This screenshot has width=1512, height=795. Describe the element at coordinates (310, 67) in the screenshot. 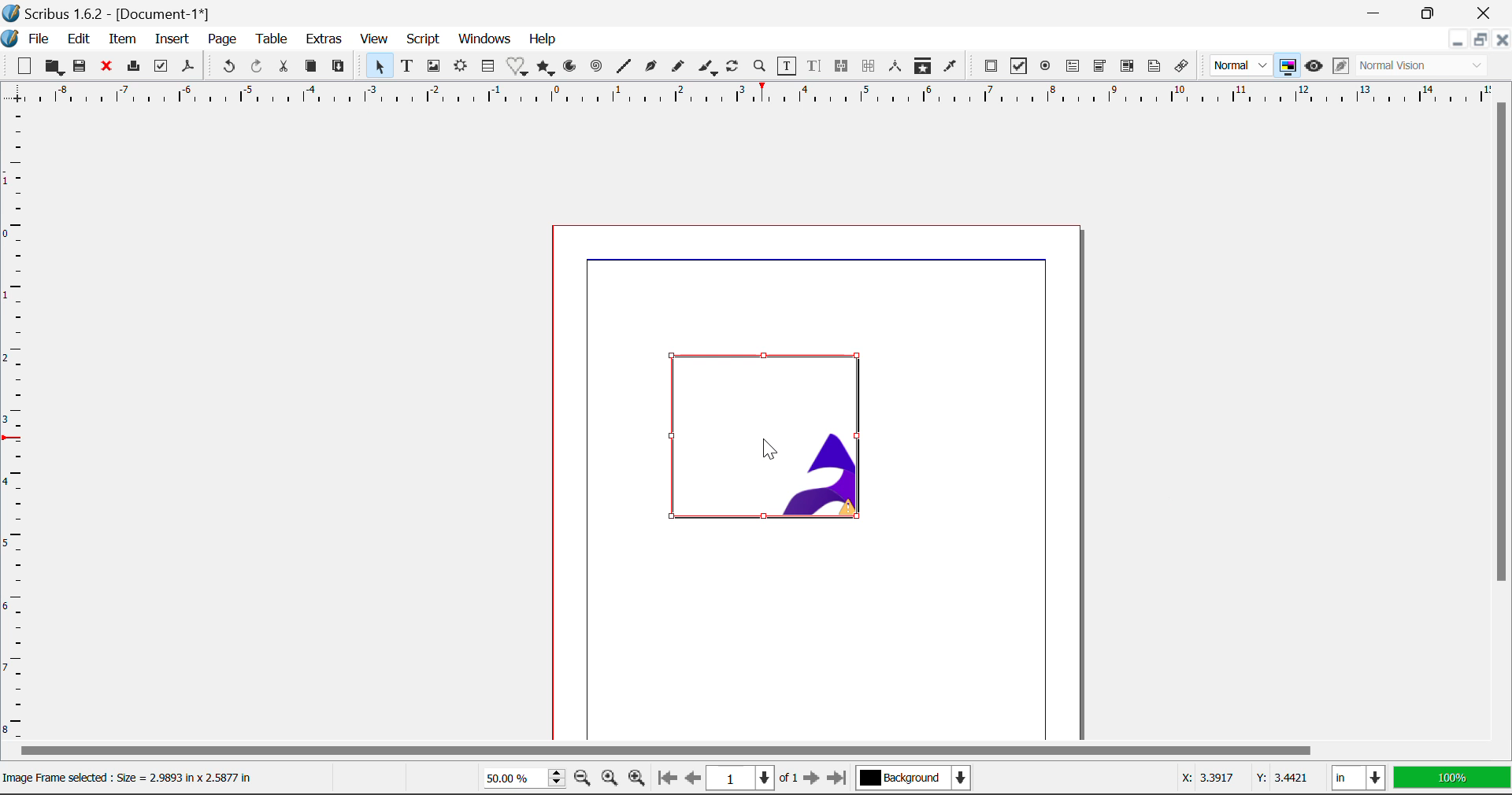

I see `Copy` at that location.